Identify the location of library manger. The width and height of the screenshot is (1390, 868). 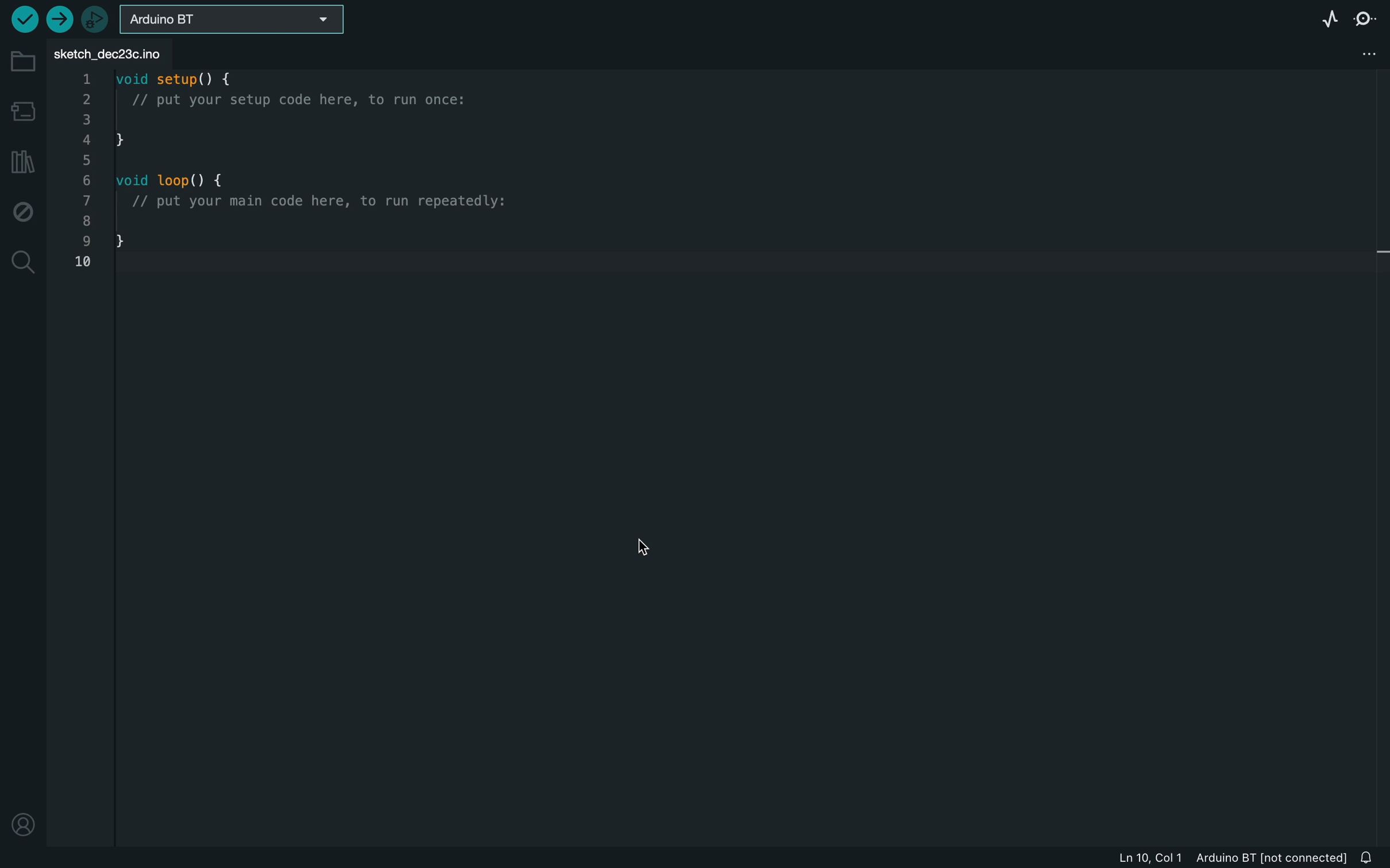
(21, 162).